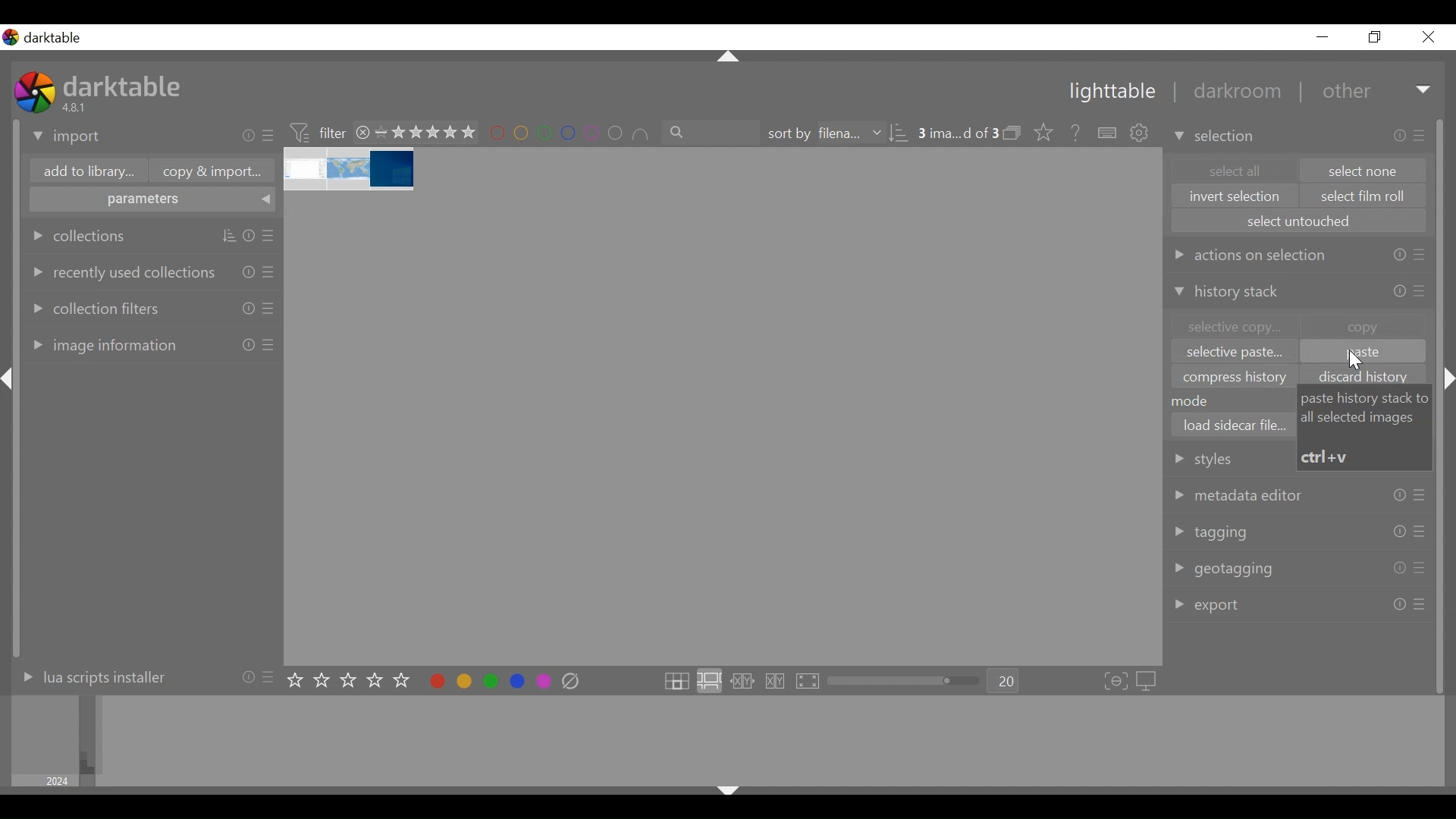  What do you see at coordinates (1237, 377) in the screenshot?
I see `compress history` at bounding box center [1237, 377].